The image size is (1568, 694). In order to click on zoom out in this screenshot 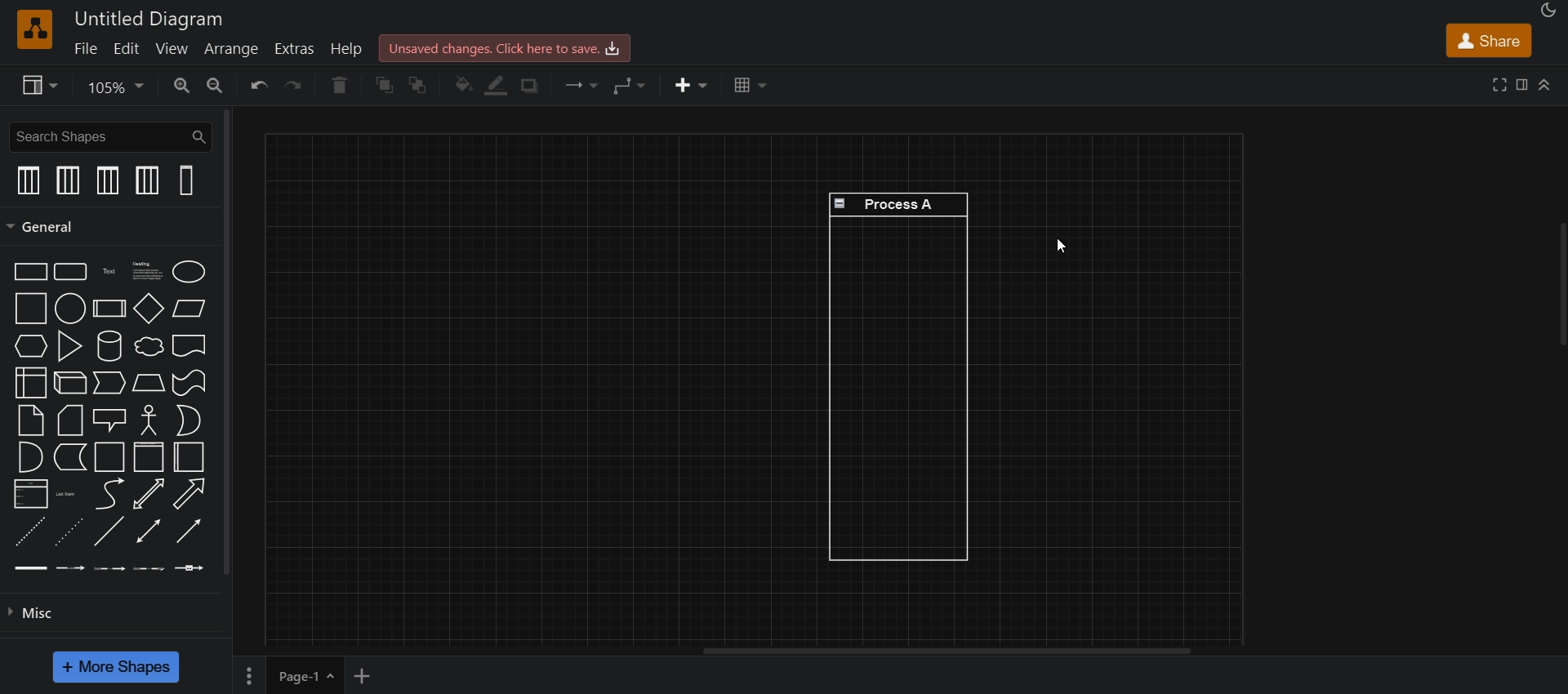, I will do `click(216, 87)`.